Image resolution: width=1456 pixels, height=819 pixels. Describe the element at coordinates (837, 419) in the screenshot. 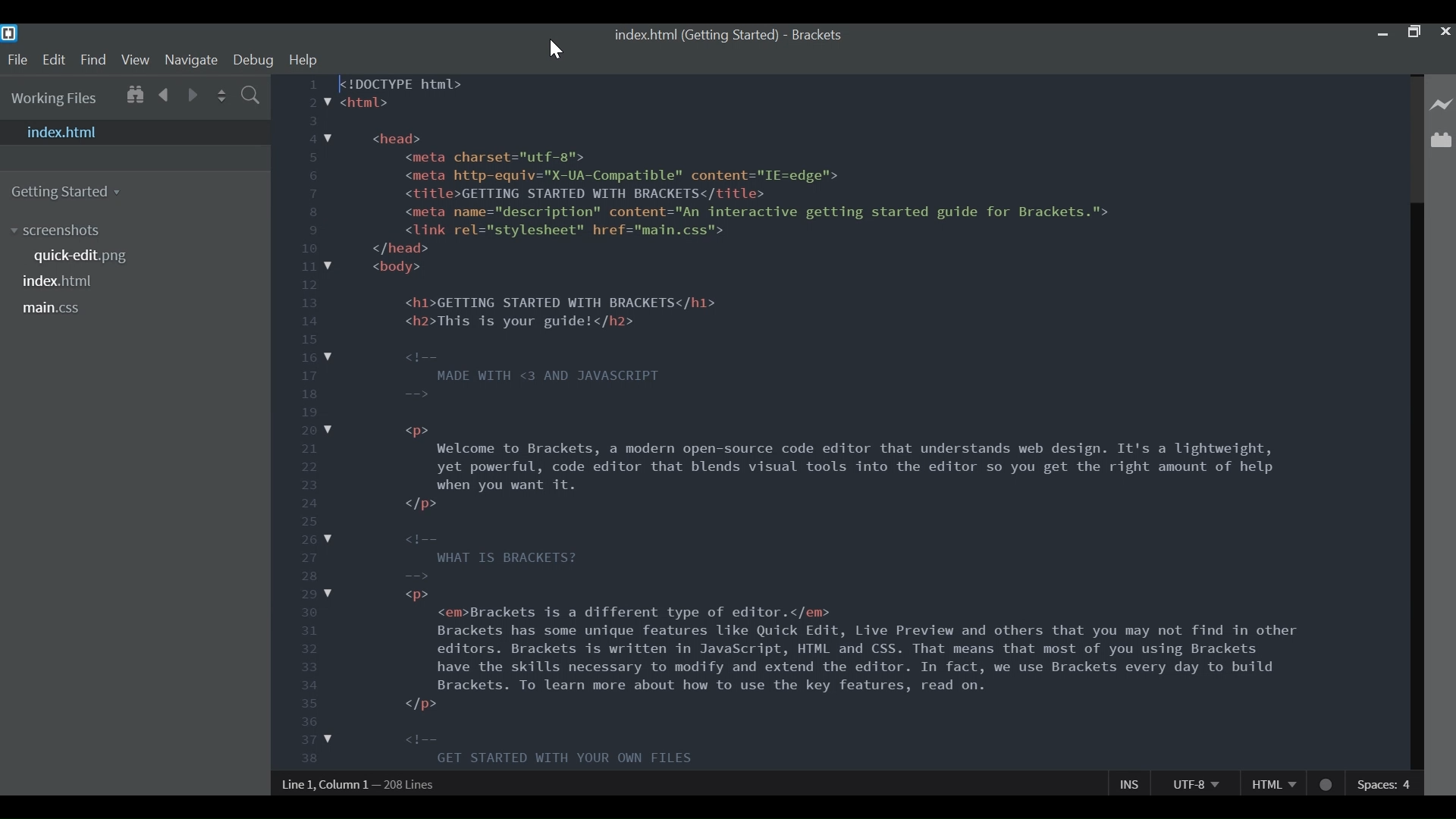

I see `<!DOCTYPE html>
<html>
<head>
<meta charset="utf-8">
<meta http-equiv="X-UA-Compatible" content="IE=edge">
<title>GETTING STARTED WITH BRACKETS</title>
<meta name="description" content="An interactive getting started guide for Brackets.">
<link rel="stylesheet" href="main.css">
</head>
<body>
<h1>GETTING STARTED WITH BRACKETS</h1>
<h2>This is your guide!</h2>
<t--
MADE WITH <3 AND JAVASCRIPT
<p>
Welcome to Brackets, a modern open-source code editor that understands web design. It's a lightweight,
yet powerful, code editor that blends visual tools into the editor so you get the right amount of help
when you want it.
</p>
<t--
WHAT IS BRACKETS?
<p>
<em>Brackets is a different type of editor.</em>
Brackets has some unique features like Quick Edit, Live Preview and others that you may not find in other
editors. Brackets is written in JavaScript, HTML and CSS. That means that most of you using Brackets
have the skills necessary to modify and extend the editor. In fact, we use Brackets every day to build
Brackets. To learn more about how to use the key features, read on.
</p>
fee
GET STARTED WITH YOUR OWN FILES` at that location.